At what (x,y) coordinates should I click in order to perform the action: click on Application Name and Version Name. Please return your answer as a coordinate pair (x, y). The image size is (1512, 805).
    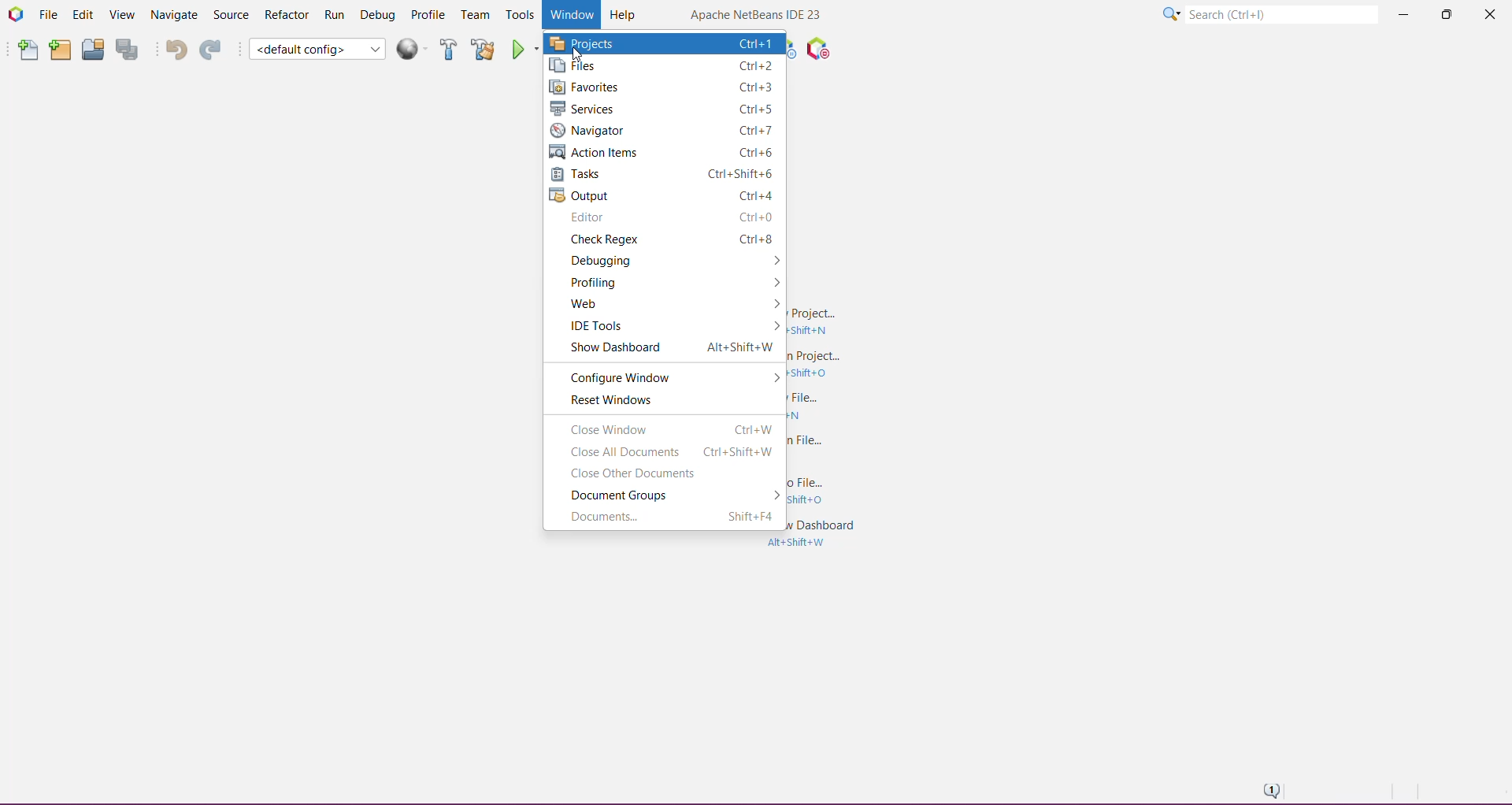
    Looking at the image, I should click on (757, 16).